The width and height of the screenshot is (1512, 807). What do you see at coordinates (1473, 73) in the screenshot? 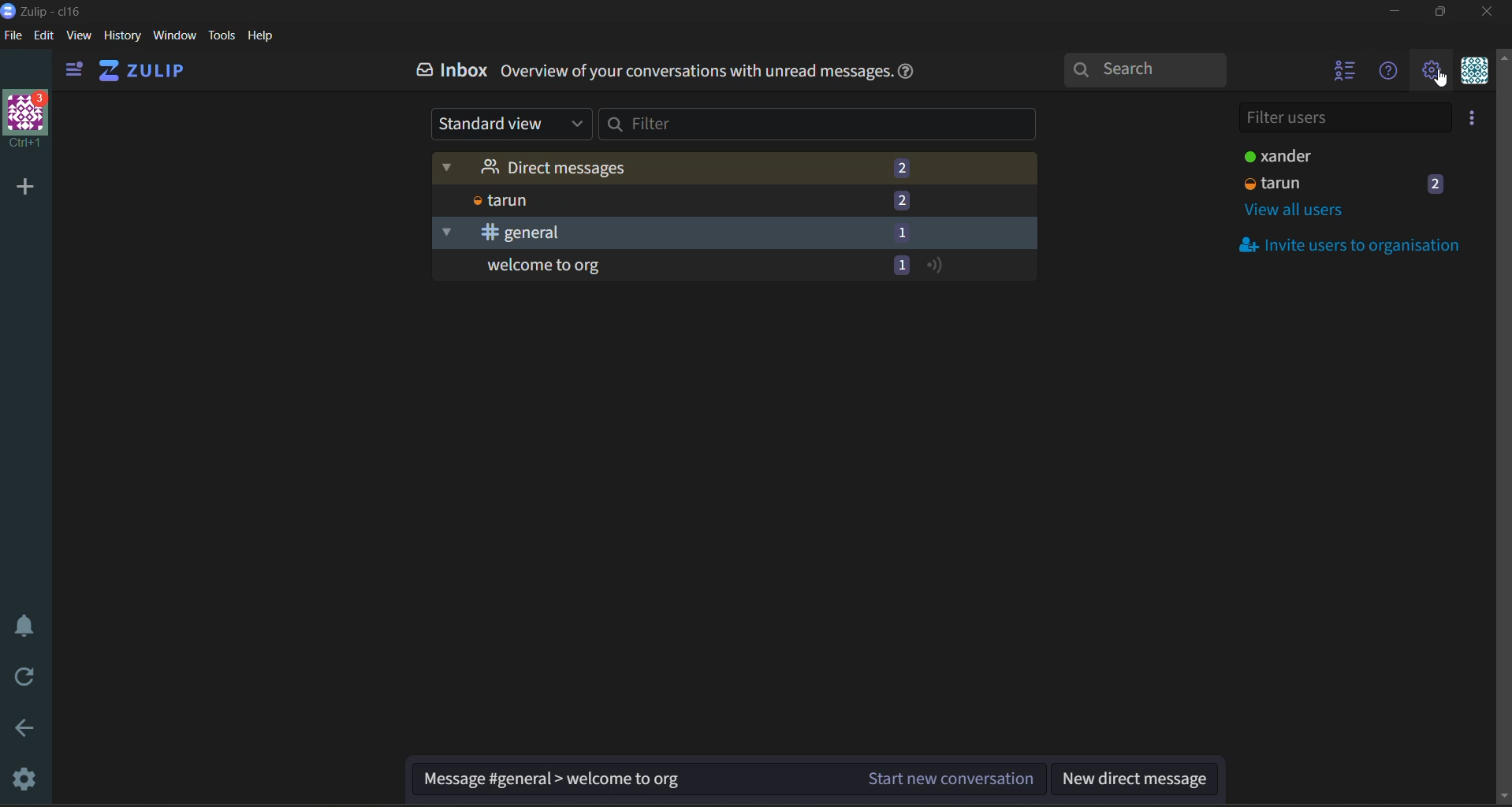
I see `personal menu` at bounding box center [1473, 73].